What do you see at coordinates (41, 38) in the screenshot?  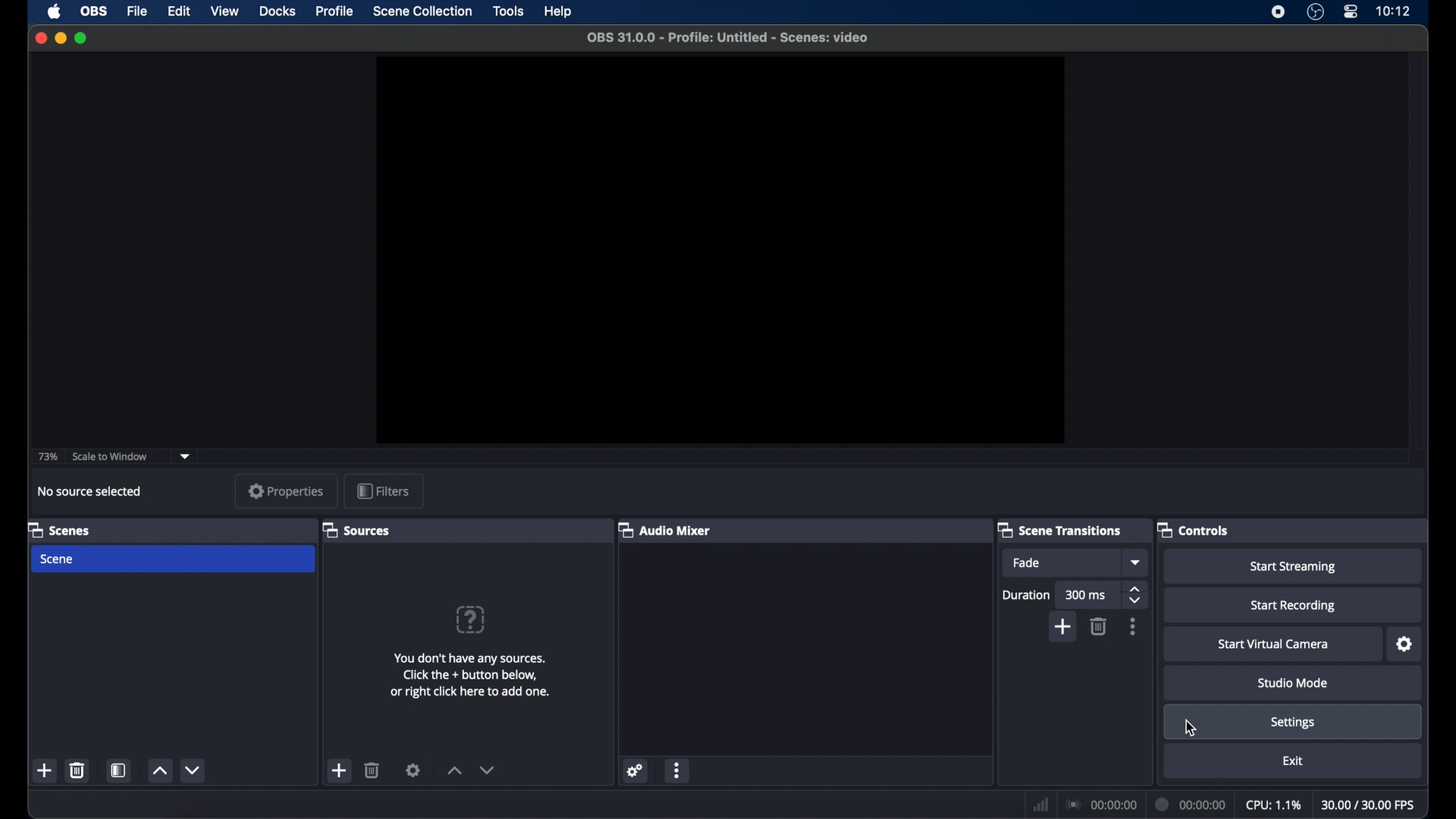 I see `close` at bounding box center [41, 38].